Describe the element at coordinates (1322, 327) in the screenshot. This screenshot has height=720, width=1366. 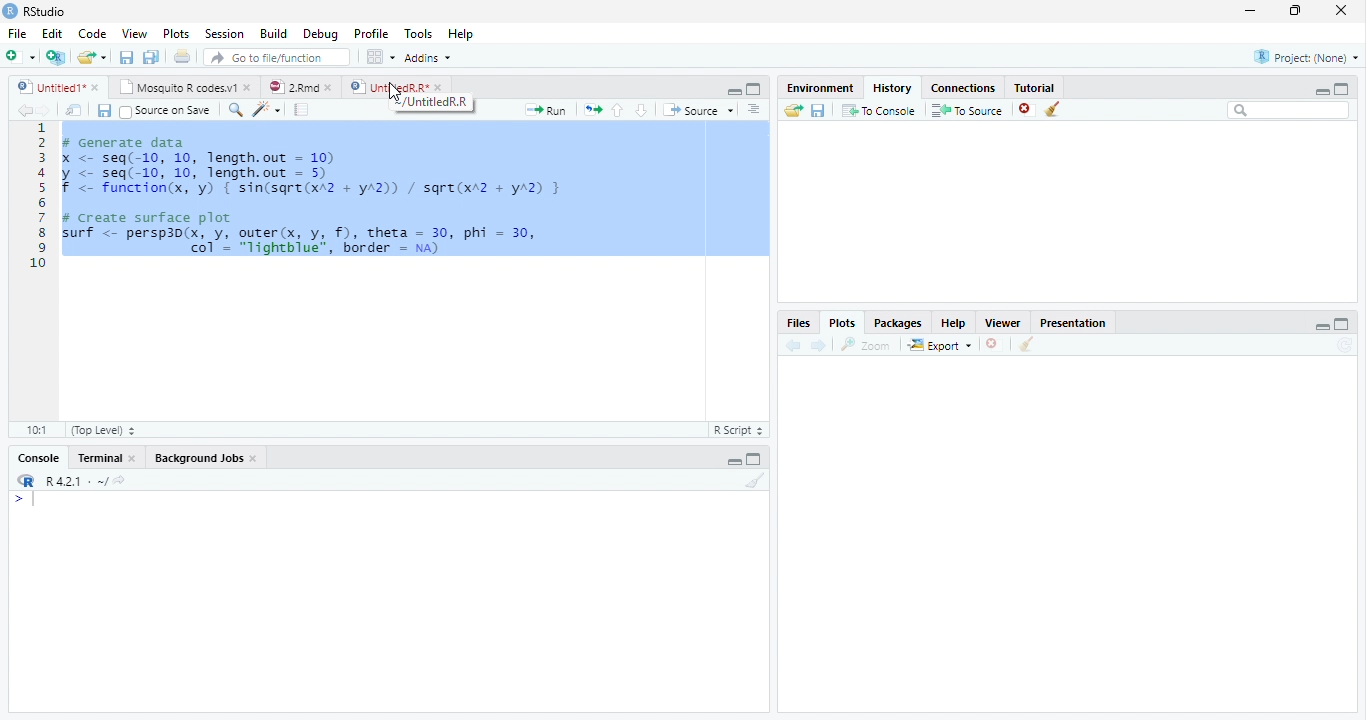
I see `minimize` at that location.